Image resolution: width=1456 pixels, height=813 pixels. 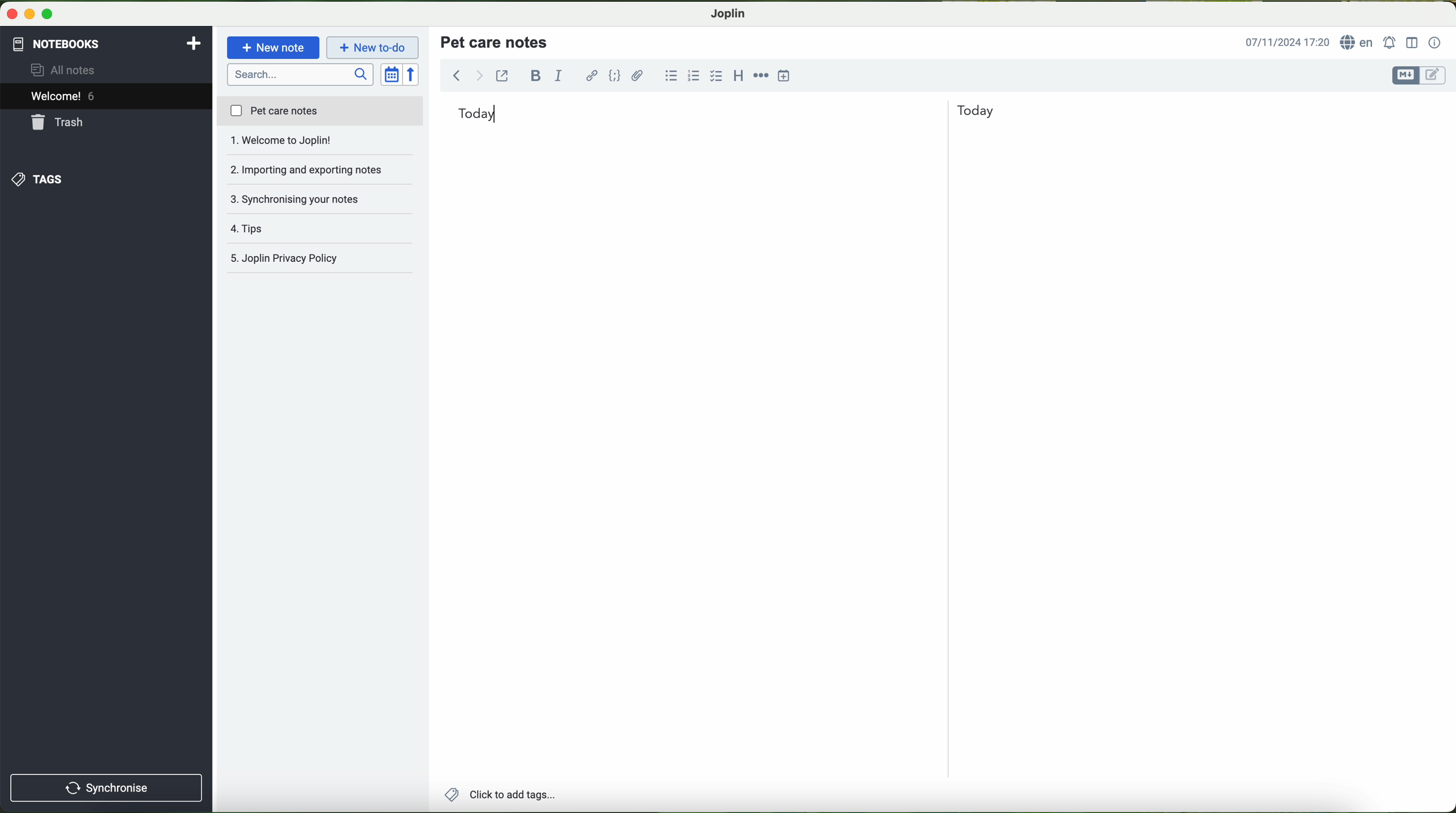 What do you see at coordinates (557, 76) in the screenshot?
I see `italic` at bounding box center [557, 76].